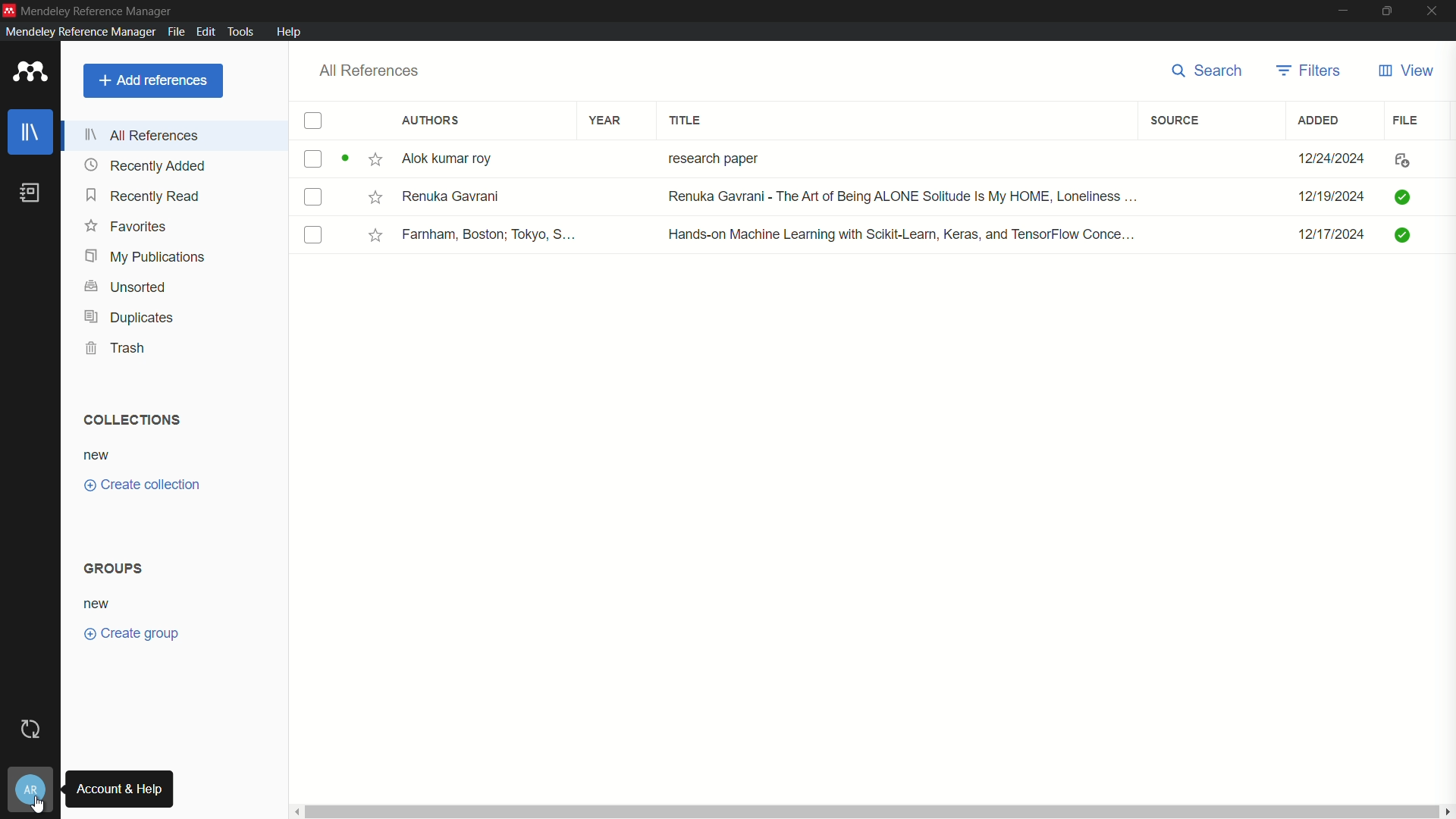 Image resolution: width=1456 pixels, height=819 pixels. What do you see at coordinates (31, 132) in the screenshot?
I see `library` at bounding box center [31, 132].